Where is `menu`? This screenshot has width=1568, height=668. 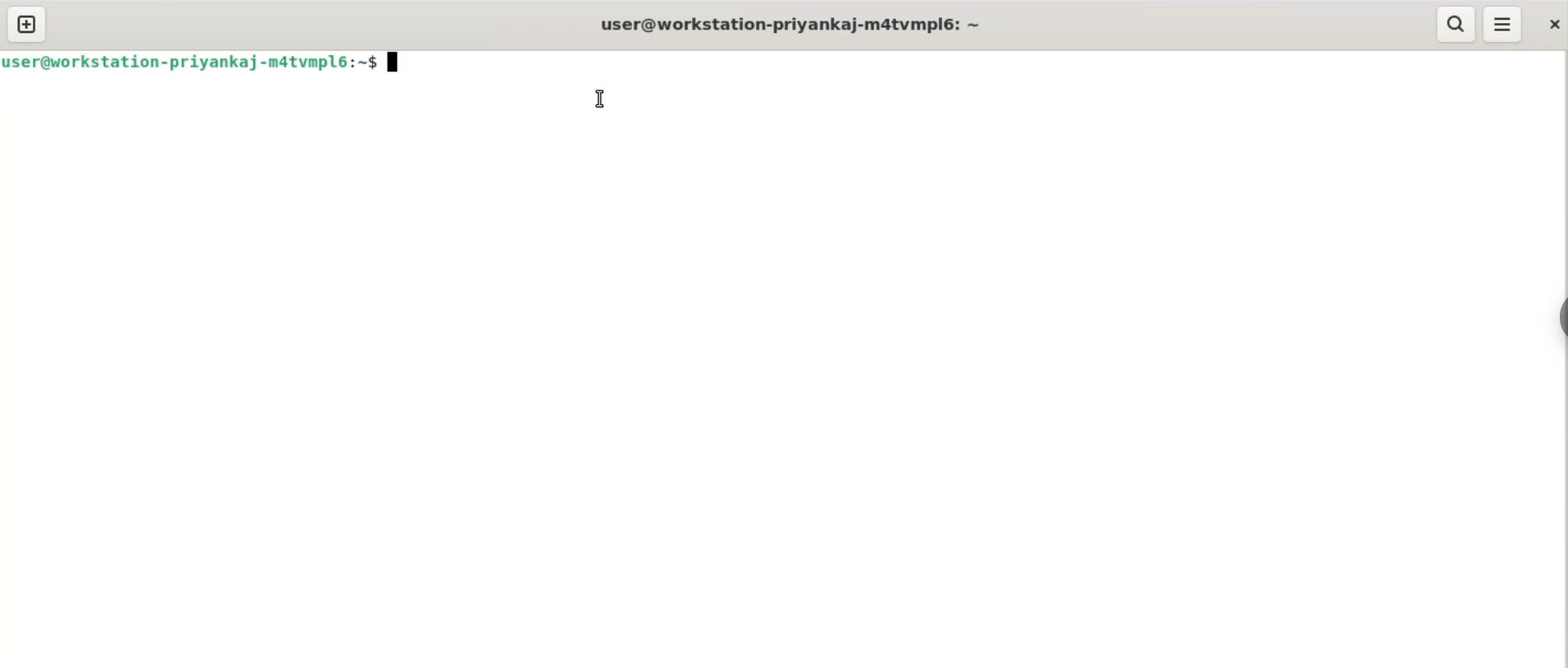
menu is located at coordinates (1504, 26).